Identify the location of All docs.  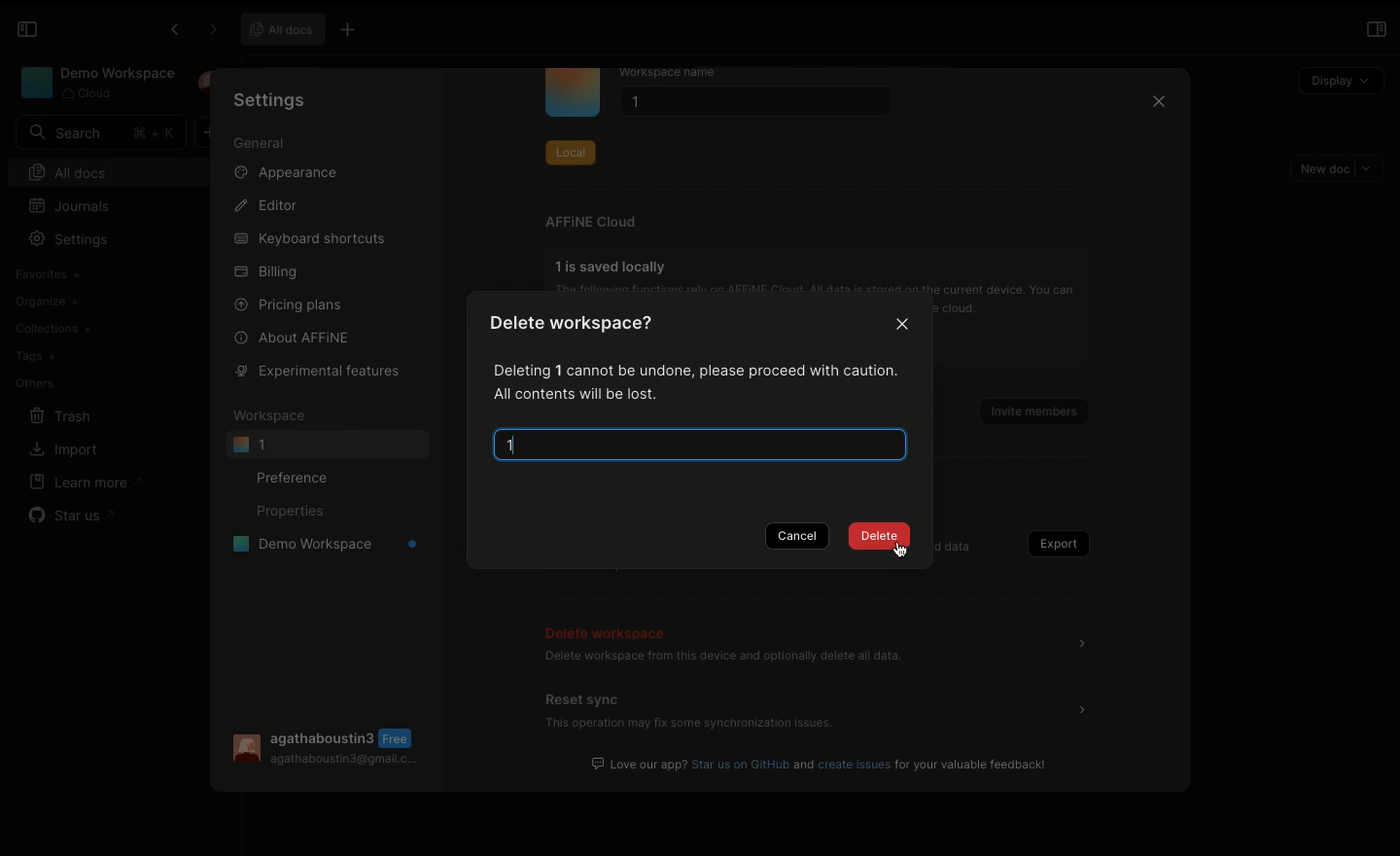
(283, 29).